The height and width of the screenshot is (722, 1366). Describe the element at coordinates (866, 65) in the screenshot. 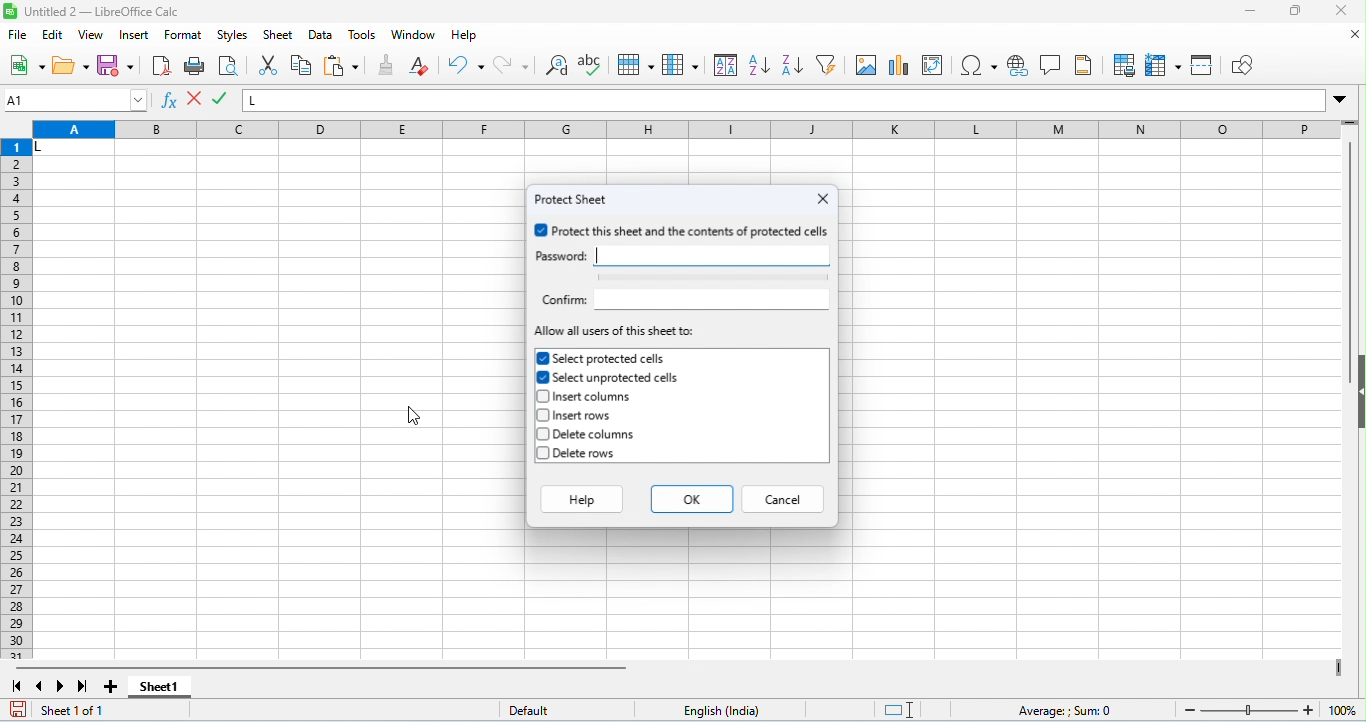

I see `insert image` at that location.